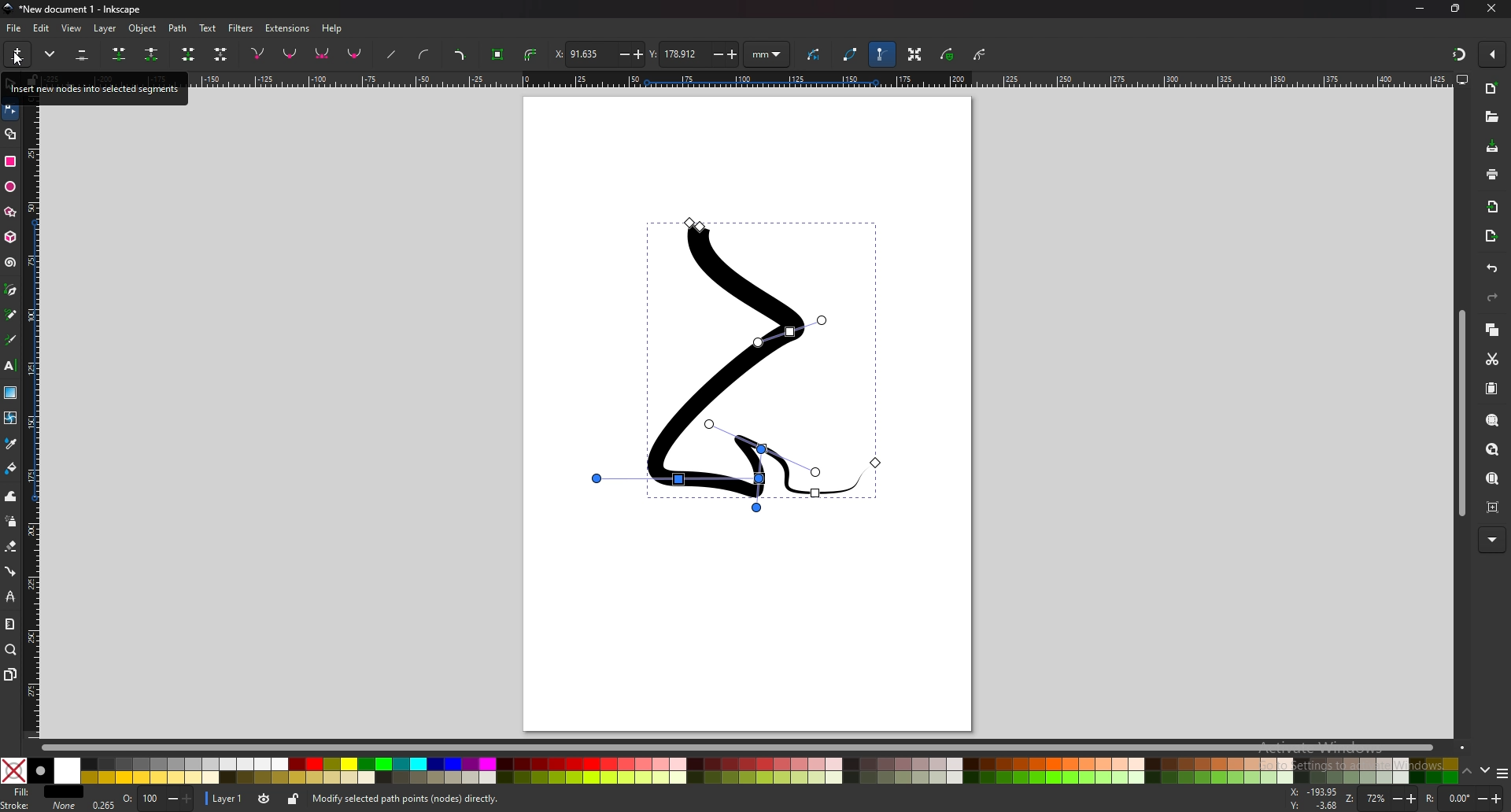 This screenshot has width=1511, height=812. Describe the element at coordinates (43, 28) in the screenshot. I see `edit` at that location.